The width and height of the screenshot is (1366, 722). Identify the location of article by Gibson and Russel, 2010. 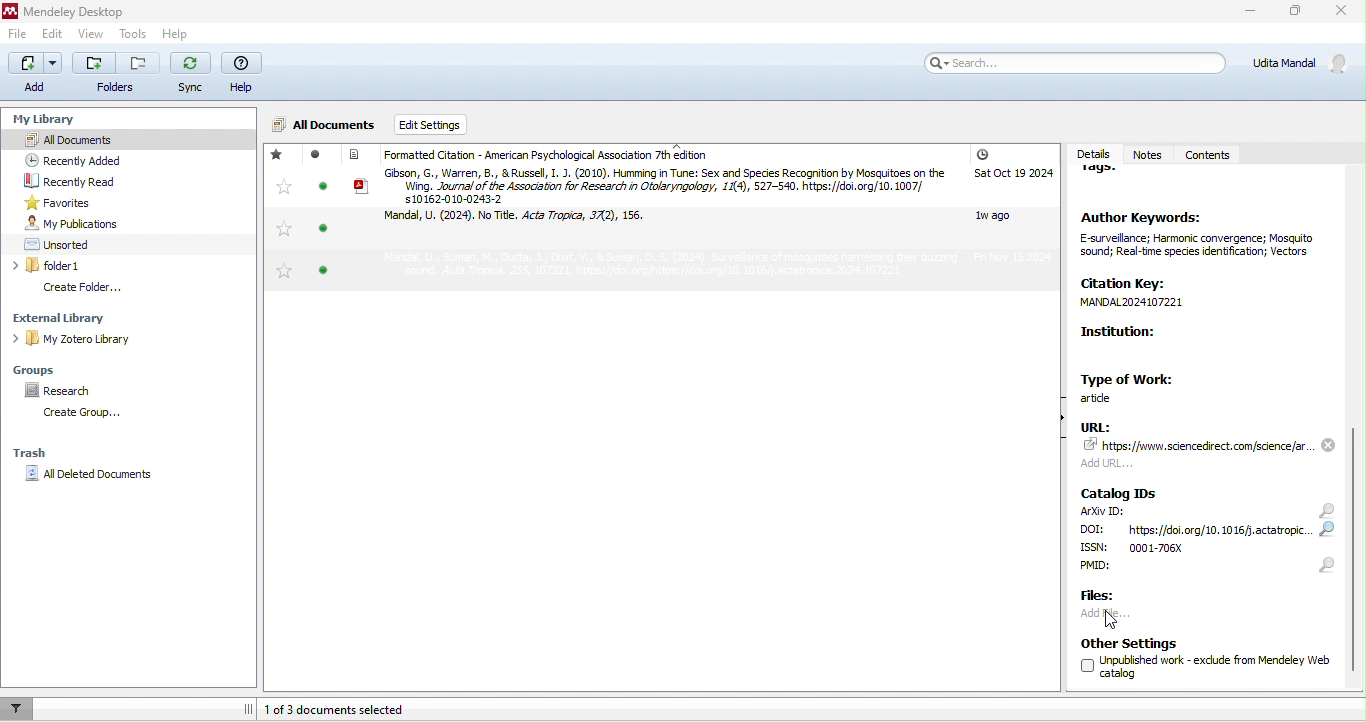
(651, 185).